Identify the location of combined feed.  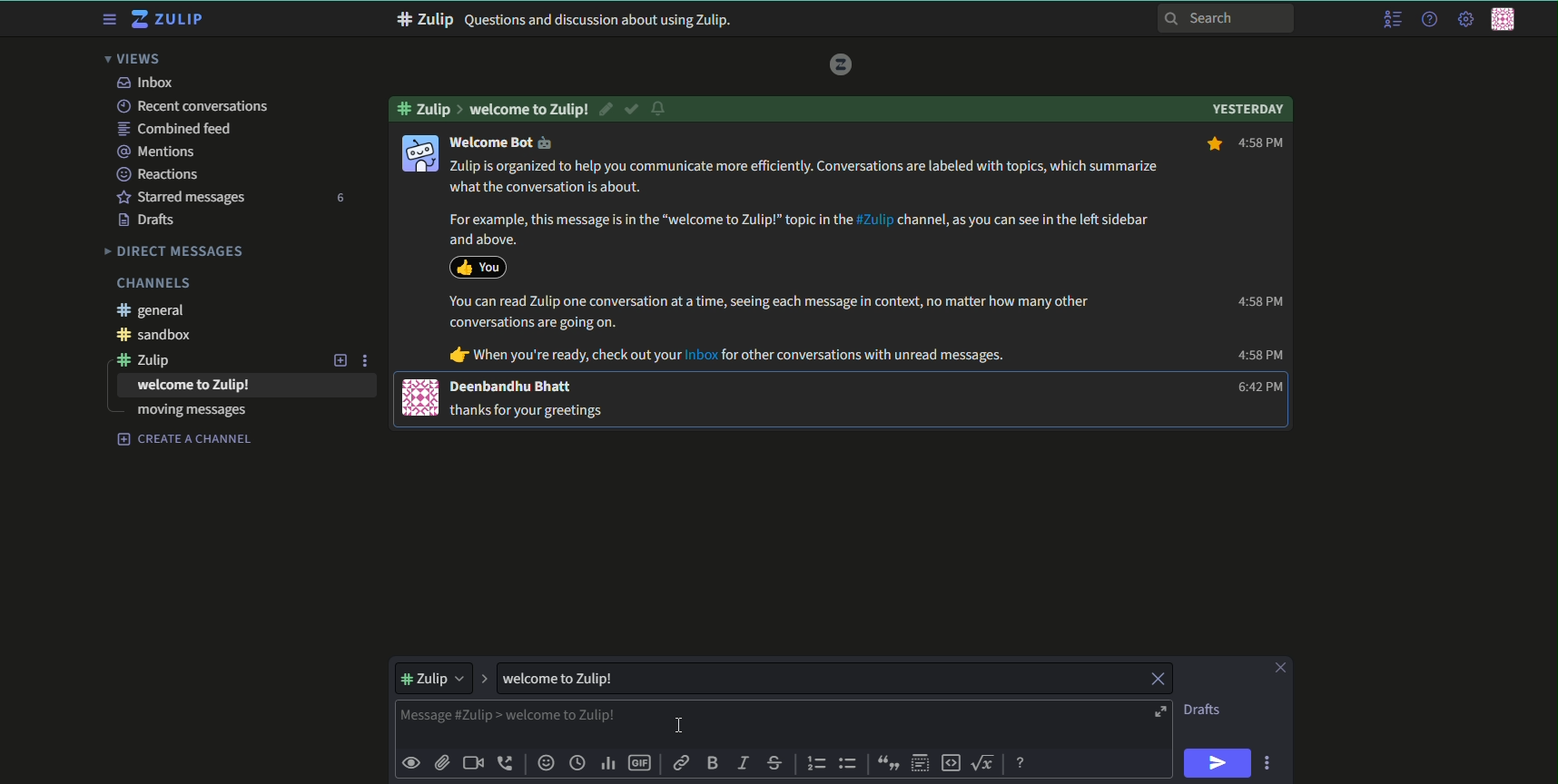
(177, 129).